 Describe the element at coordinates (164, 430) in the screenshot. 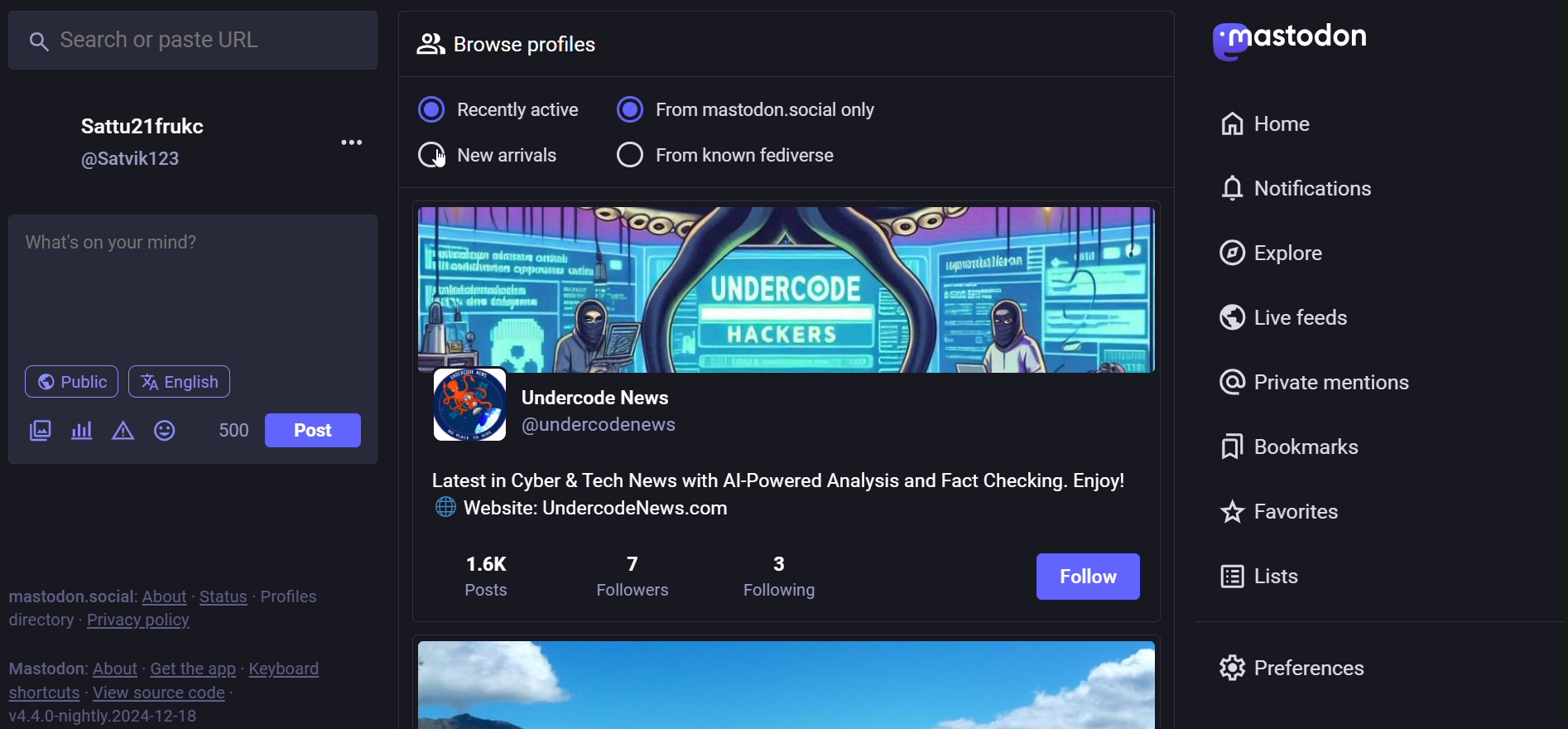

I see `emoji` at that location.